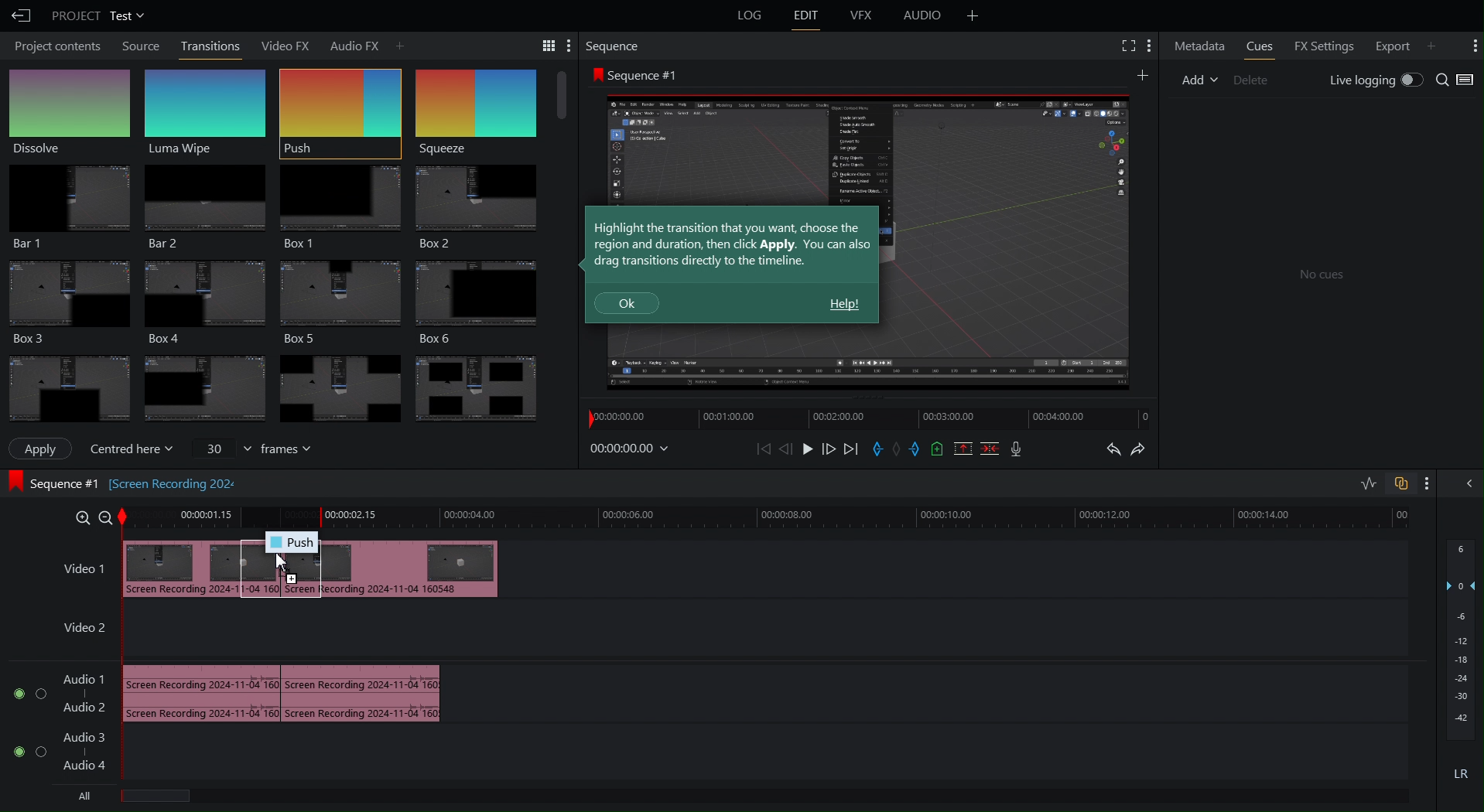 The width and height of the screenshot is (1484, 812). What do you see at coordinates (1017, 450) in the screenshot?
I see `Mic` at bounding box center [1017, 450].